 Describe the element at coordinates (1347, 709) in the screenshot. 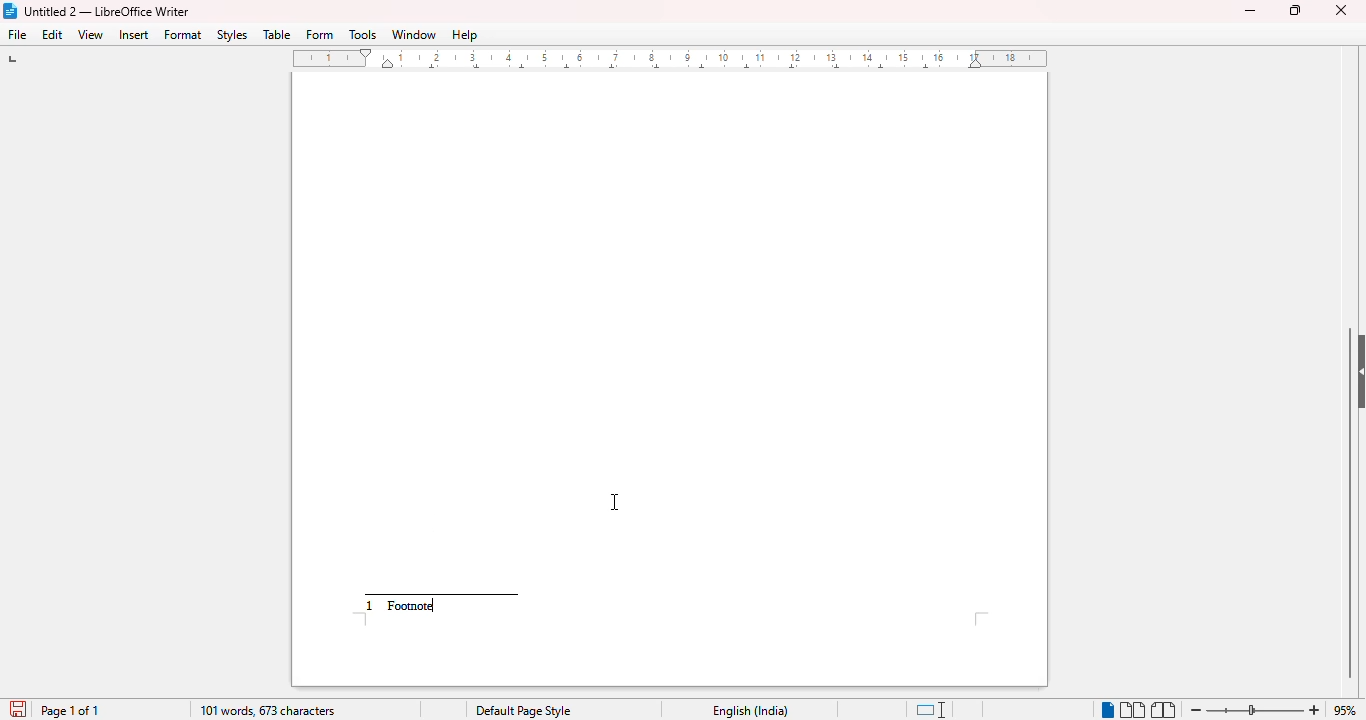

I see `95% (current zoom level)` at that location.